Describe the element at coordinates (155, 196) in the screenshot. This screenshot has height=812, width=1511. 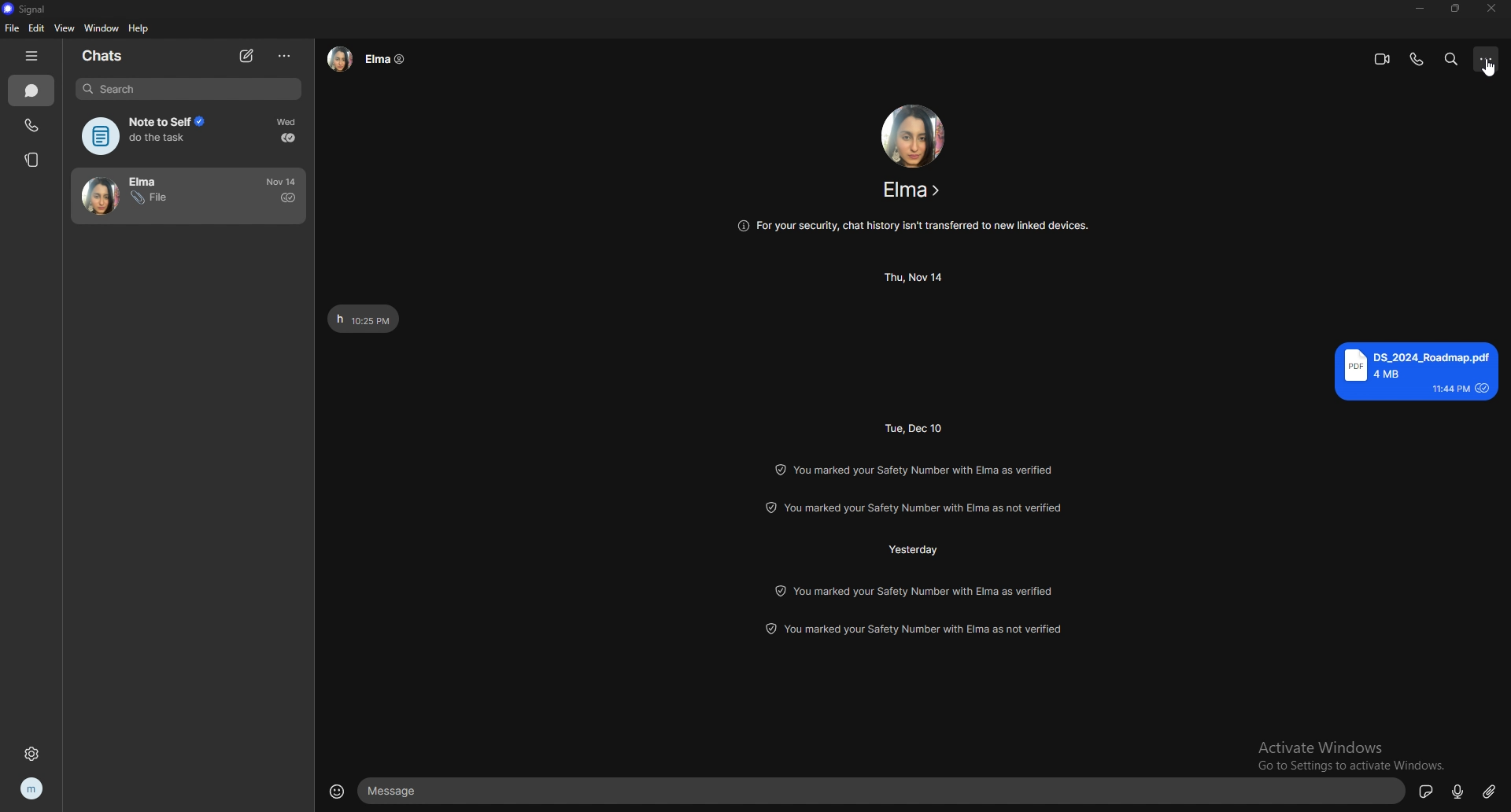
I see `contact` at that location.